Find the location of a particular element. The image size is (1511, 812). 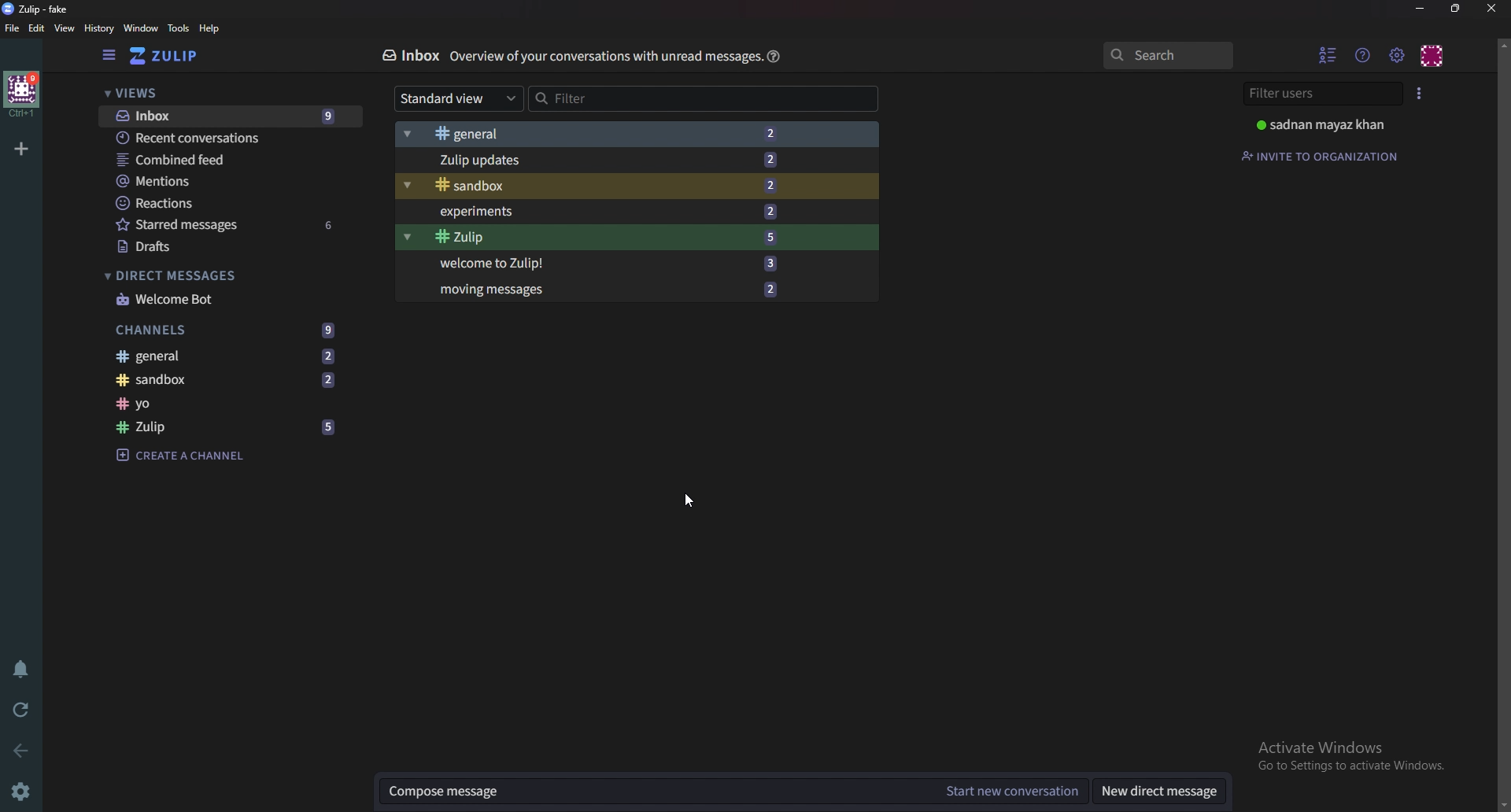

History is located at coordinates (98, 28).